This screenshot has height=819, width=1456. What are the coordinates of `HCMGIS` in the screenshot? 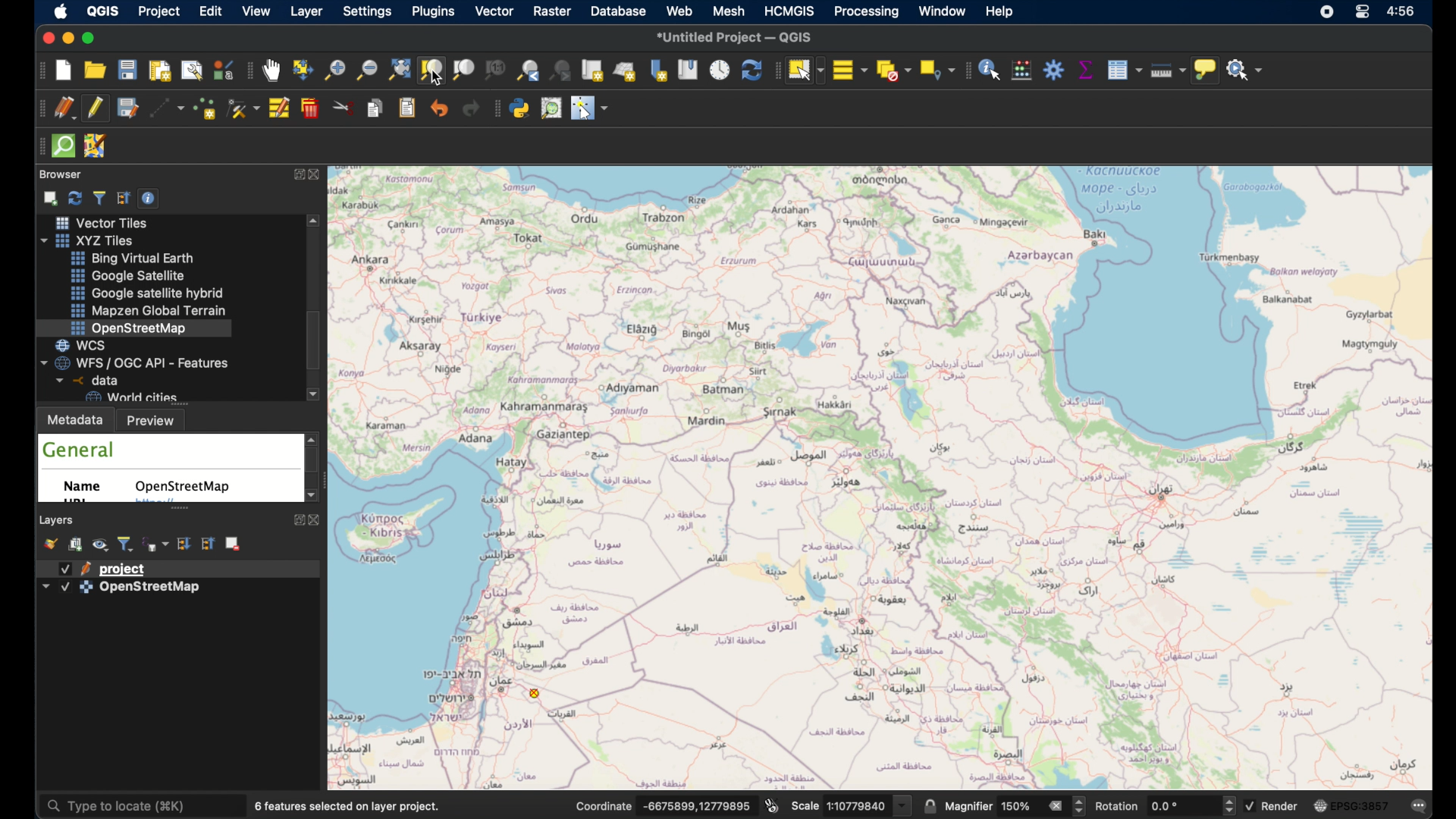 It's located at (789, 11).